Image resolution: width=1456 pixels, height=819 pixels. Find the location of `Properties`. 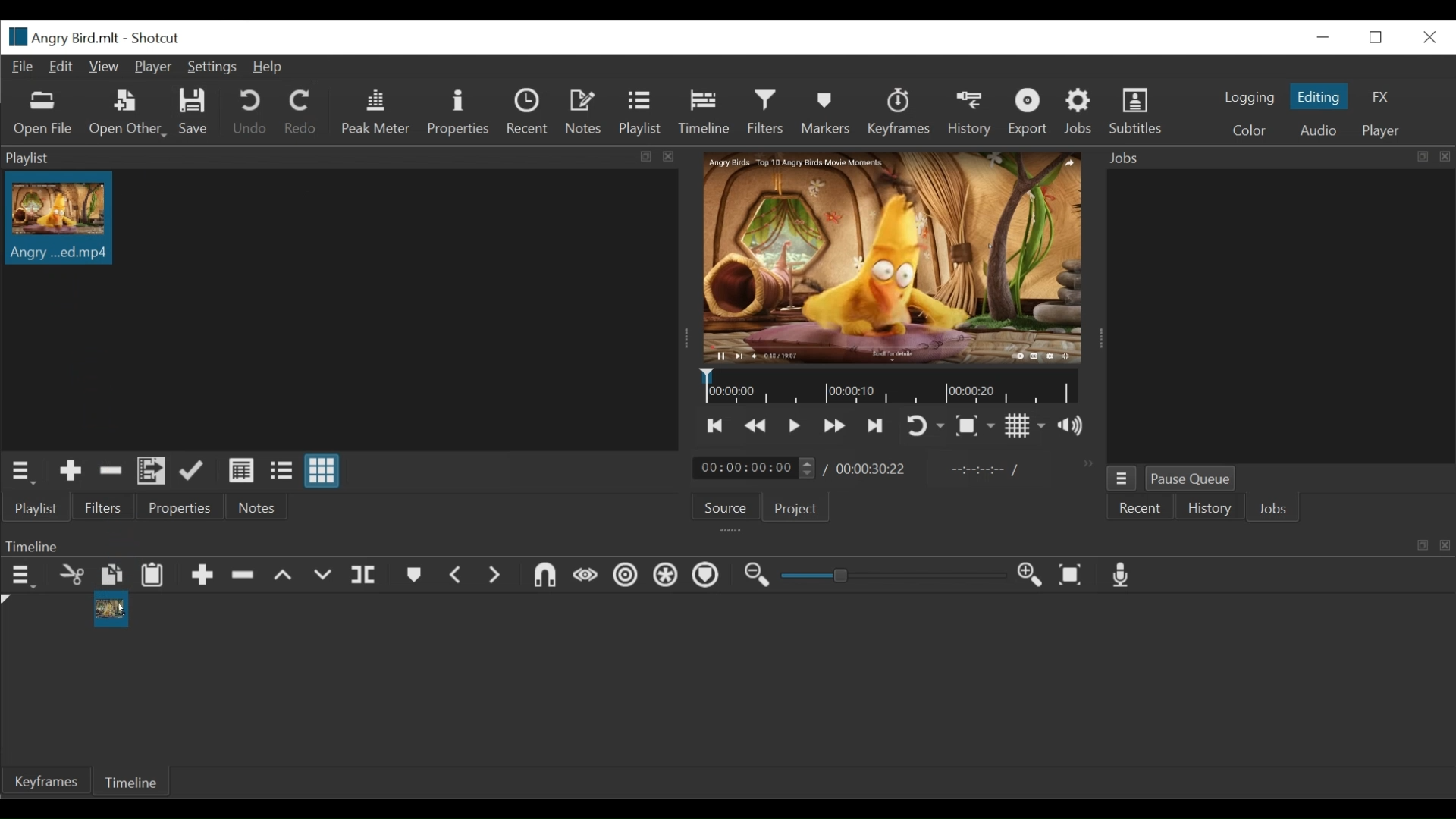

Properties is located at coordinates (180, 506).